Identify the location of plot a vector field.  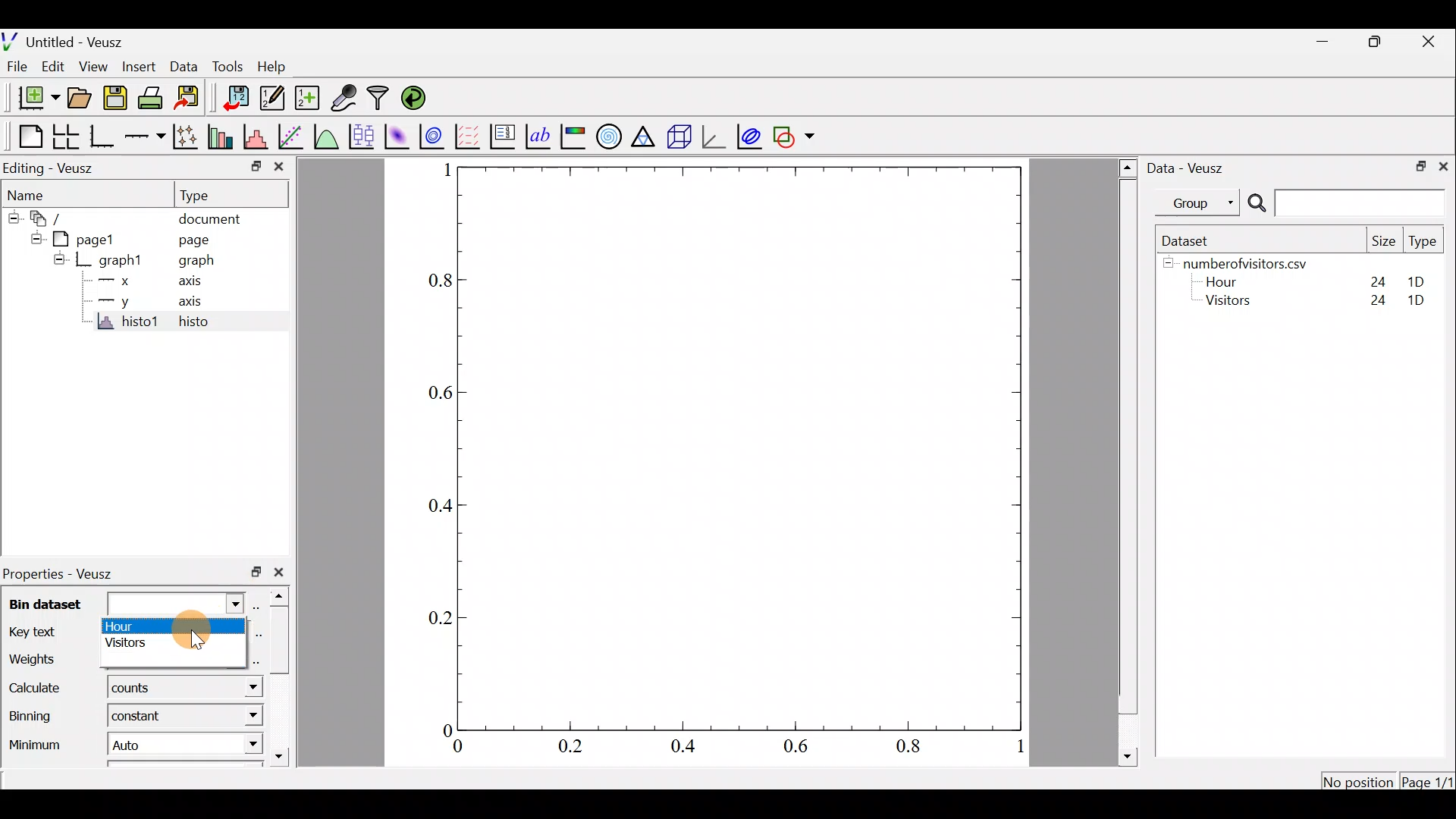
(467, 134).